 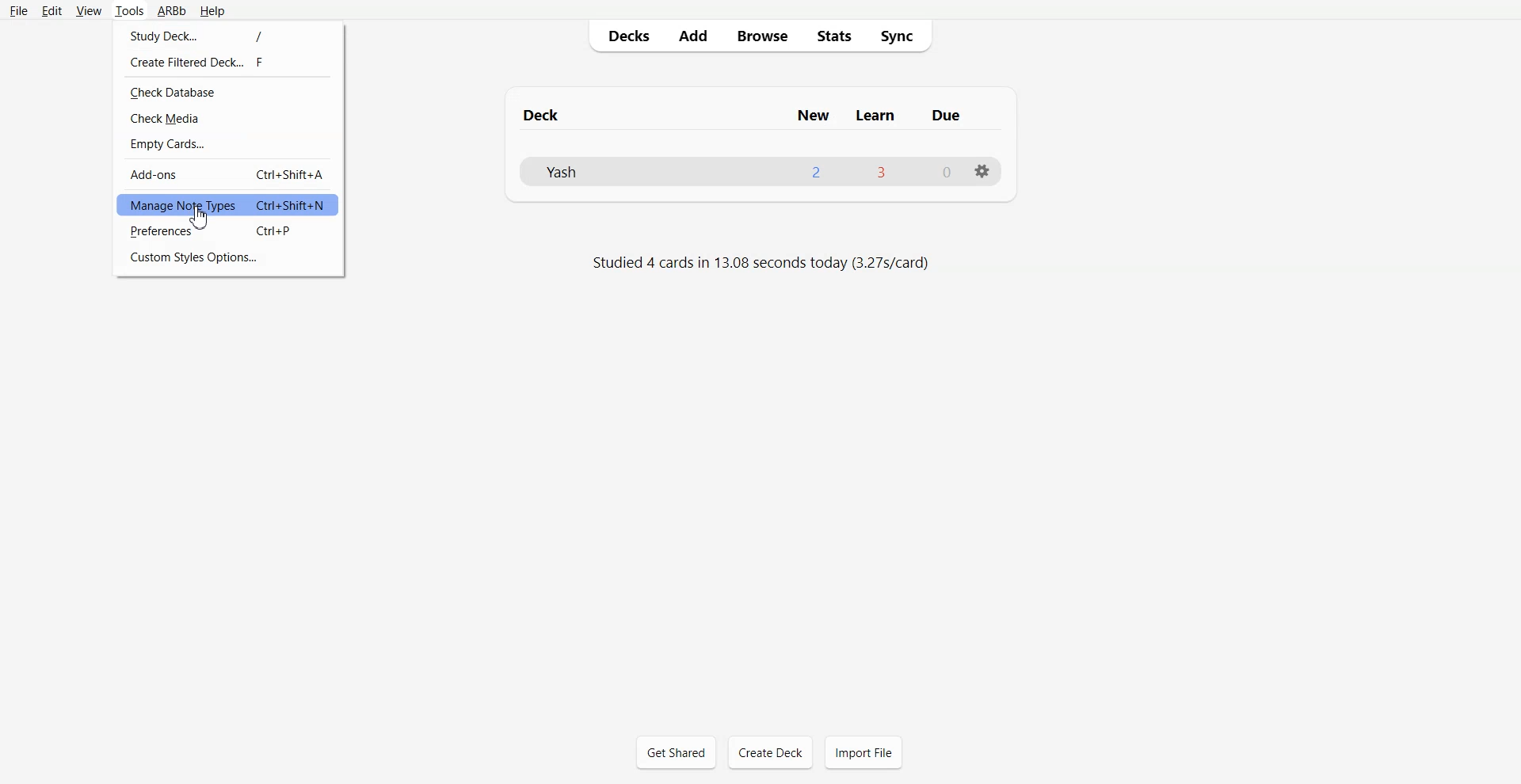 What do you see at coordinates (770, 752) in the screenshot?
I see `Create Deck` at bounding box center [770, 752].